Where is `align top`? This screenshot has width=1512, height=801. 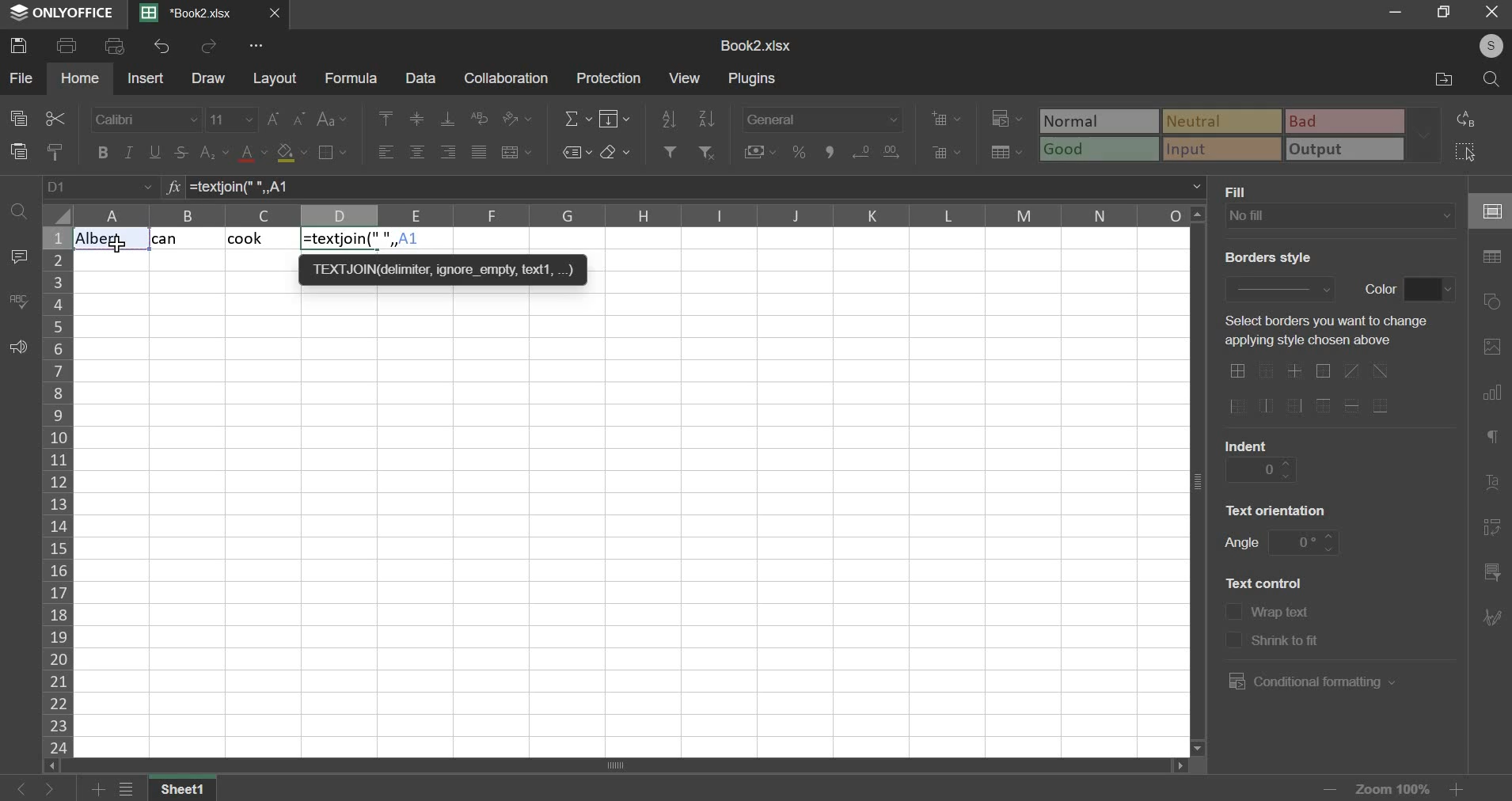
align top is located at coordinates (386, 119).